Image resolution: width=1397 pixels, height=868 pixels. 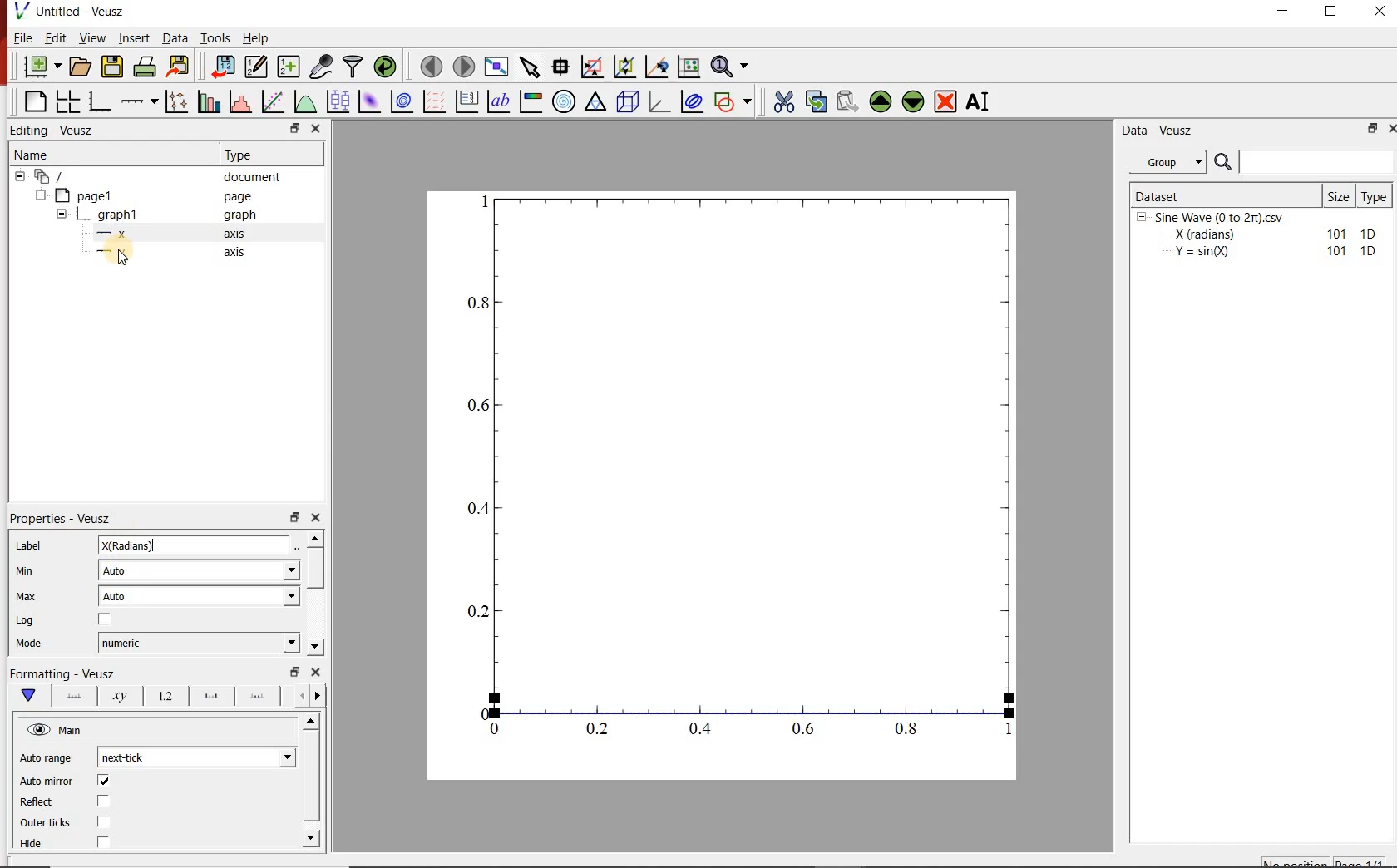 What do you see at coordinates (105, 812) in the screenshot?
I see `Checkboxes` at bounding box center [105, 812].